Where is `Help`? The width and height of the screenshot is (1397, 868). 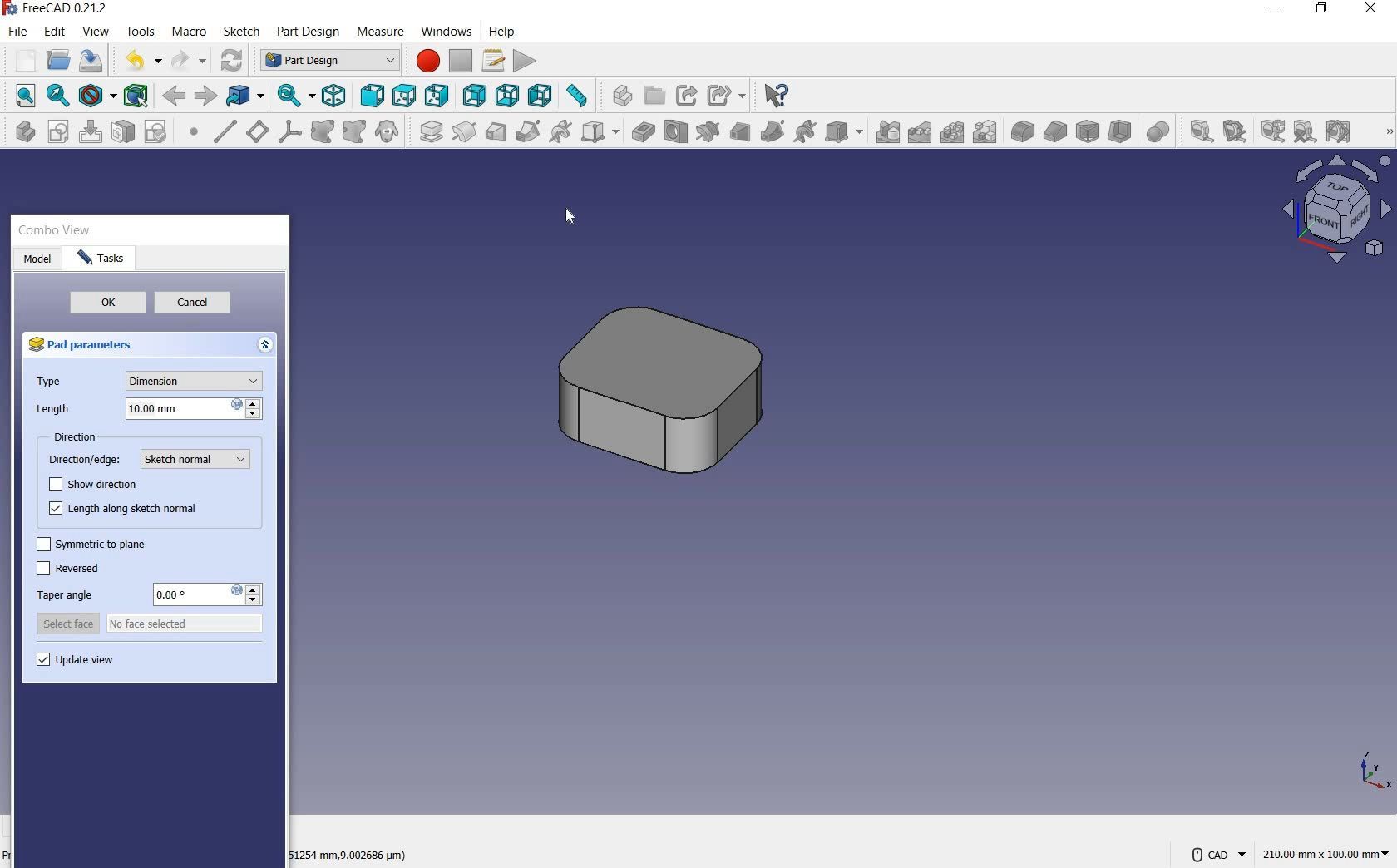 Help is located at coordinates (780, 92).